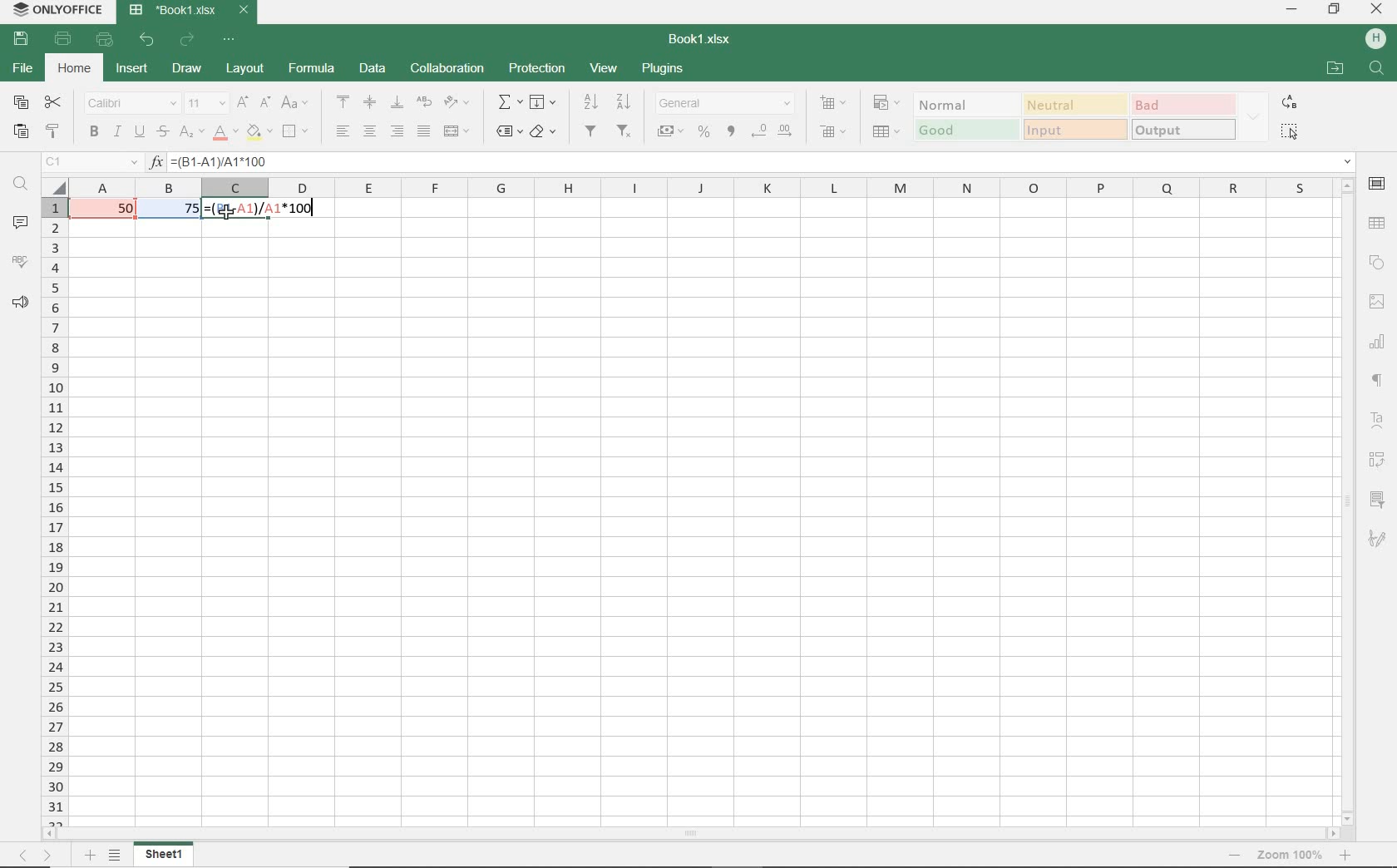 Image resolution: width=1397 pixels, height=868 pixels. Describe the element at coordinates (624, 101) in the screenshot. I see `sort descending` at that location.